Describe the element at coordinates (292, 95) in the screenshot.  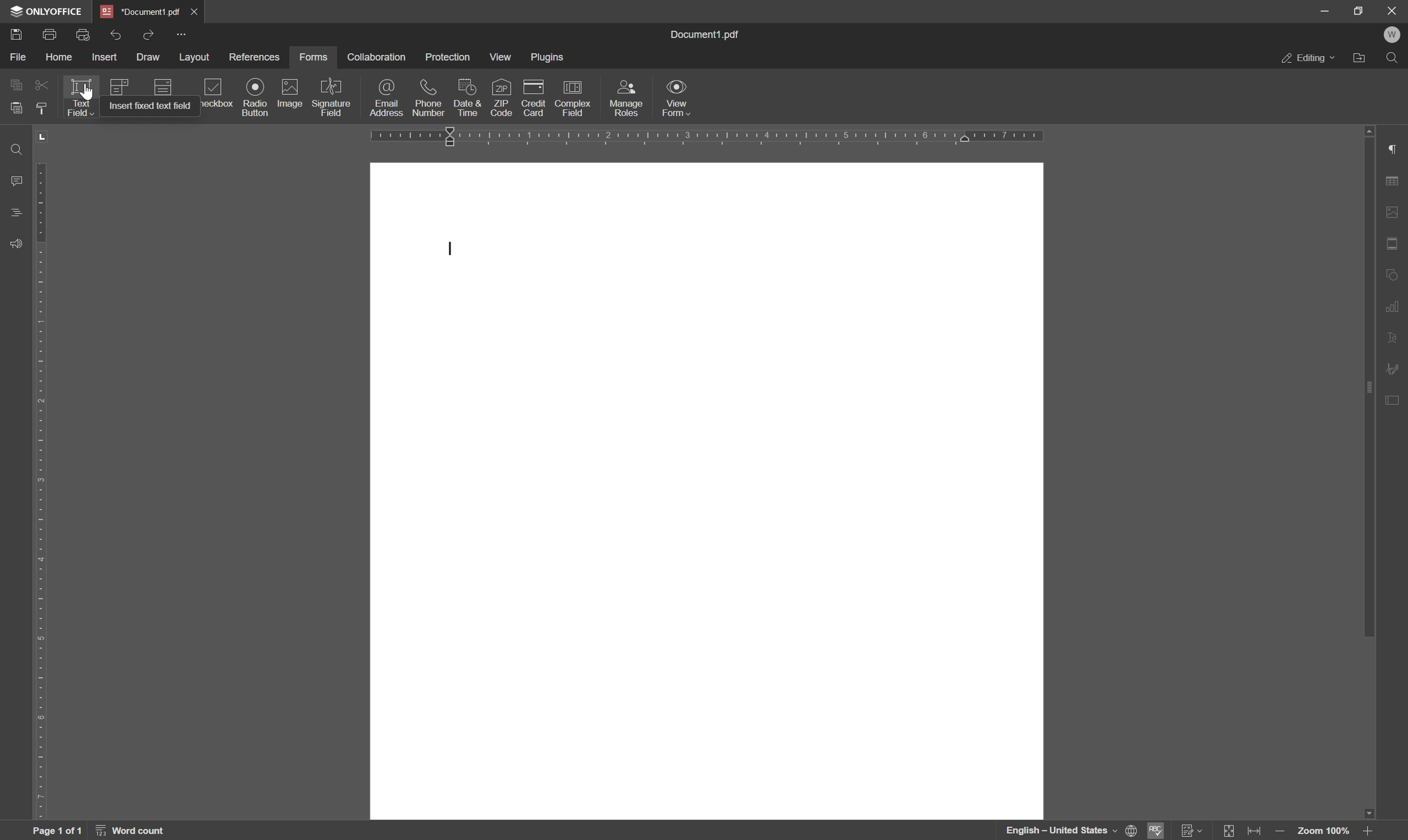
I see `image` at that location.